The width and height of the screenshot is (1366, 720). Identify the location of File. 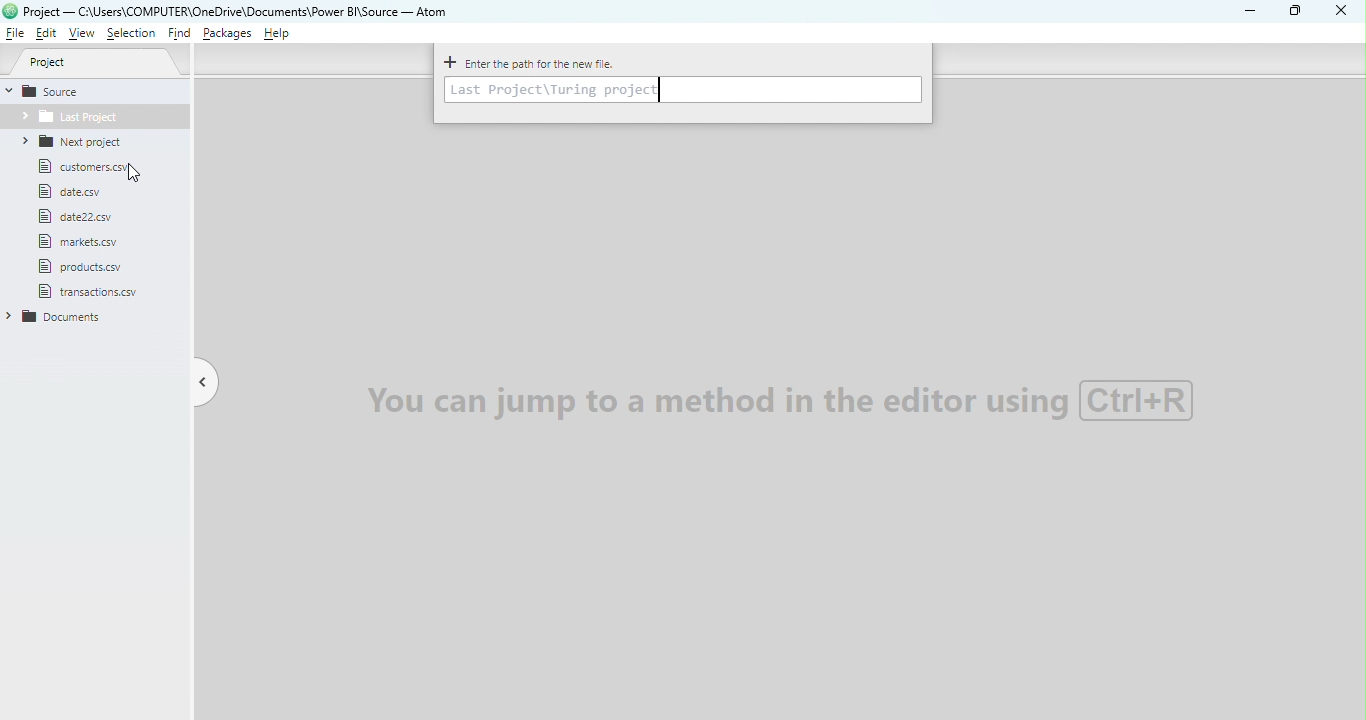
(17, 34).